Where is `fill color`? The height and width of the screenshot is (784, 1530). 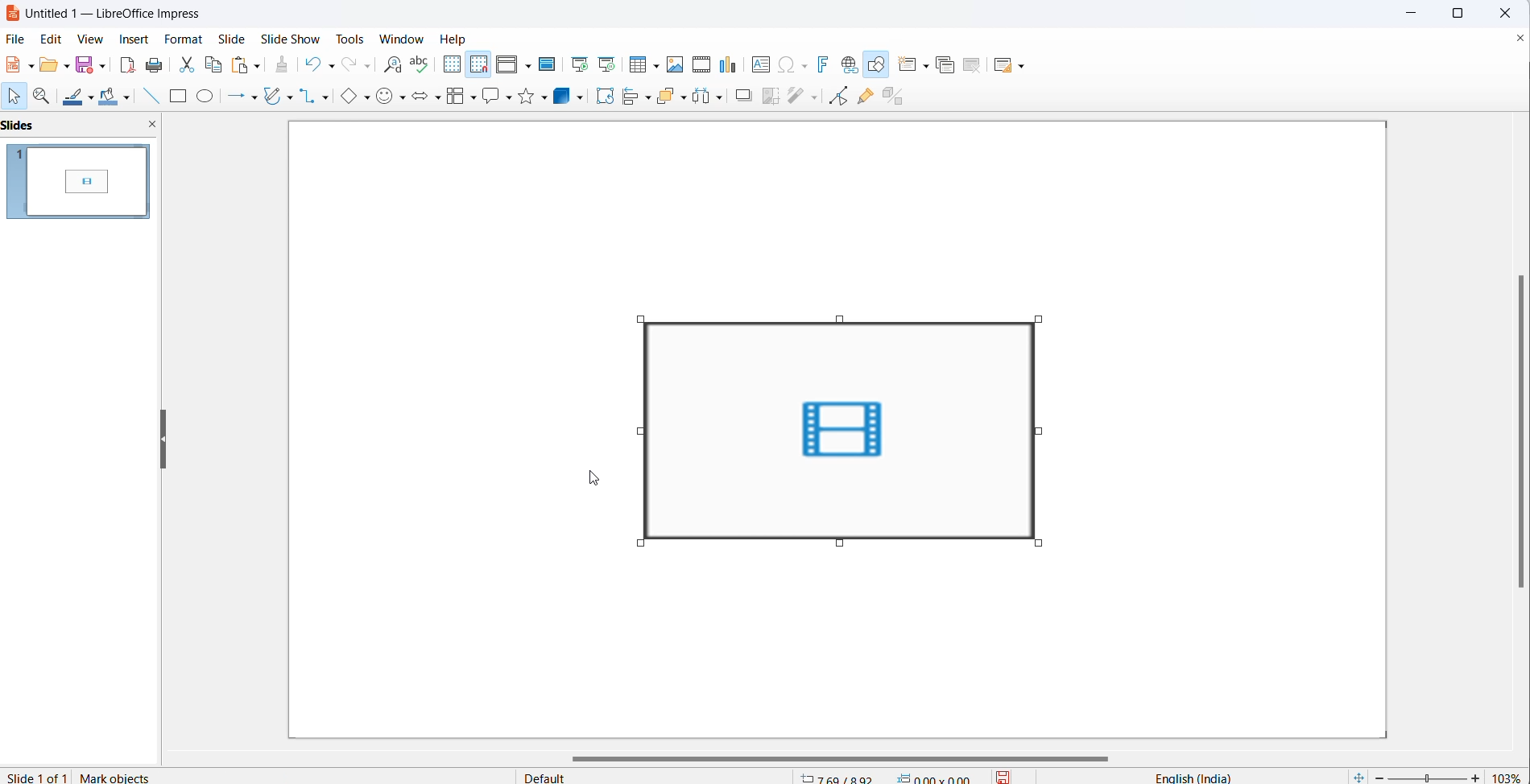 fill color is located at coordinates (108, 97).